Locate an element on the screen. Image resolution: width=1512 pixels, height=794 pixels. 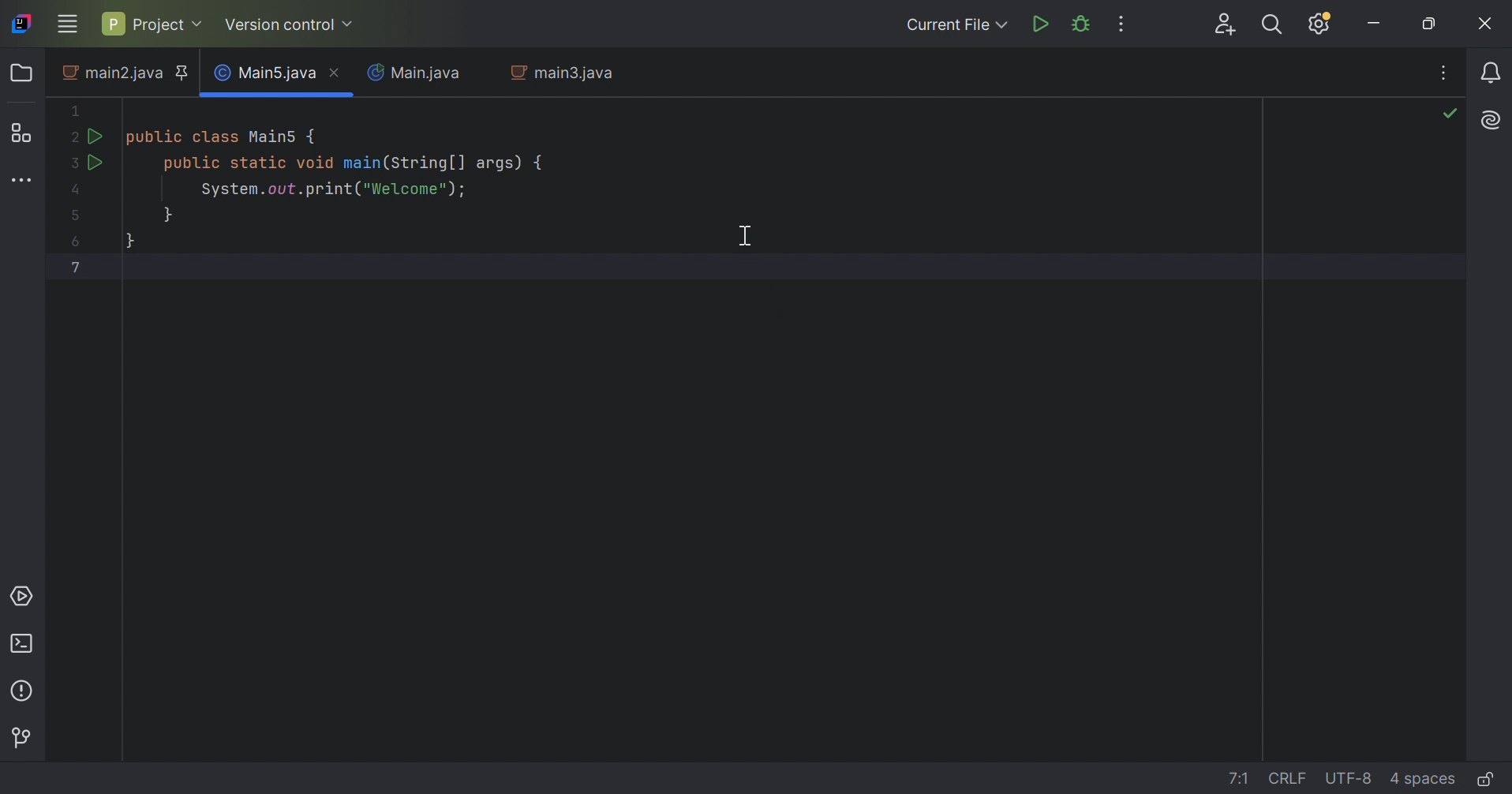
1 is located at coordinates (76, 110).